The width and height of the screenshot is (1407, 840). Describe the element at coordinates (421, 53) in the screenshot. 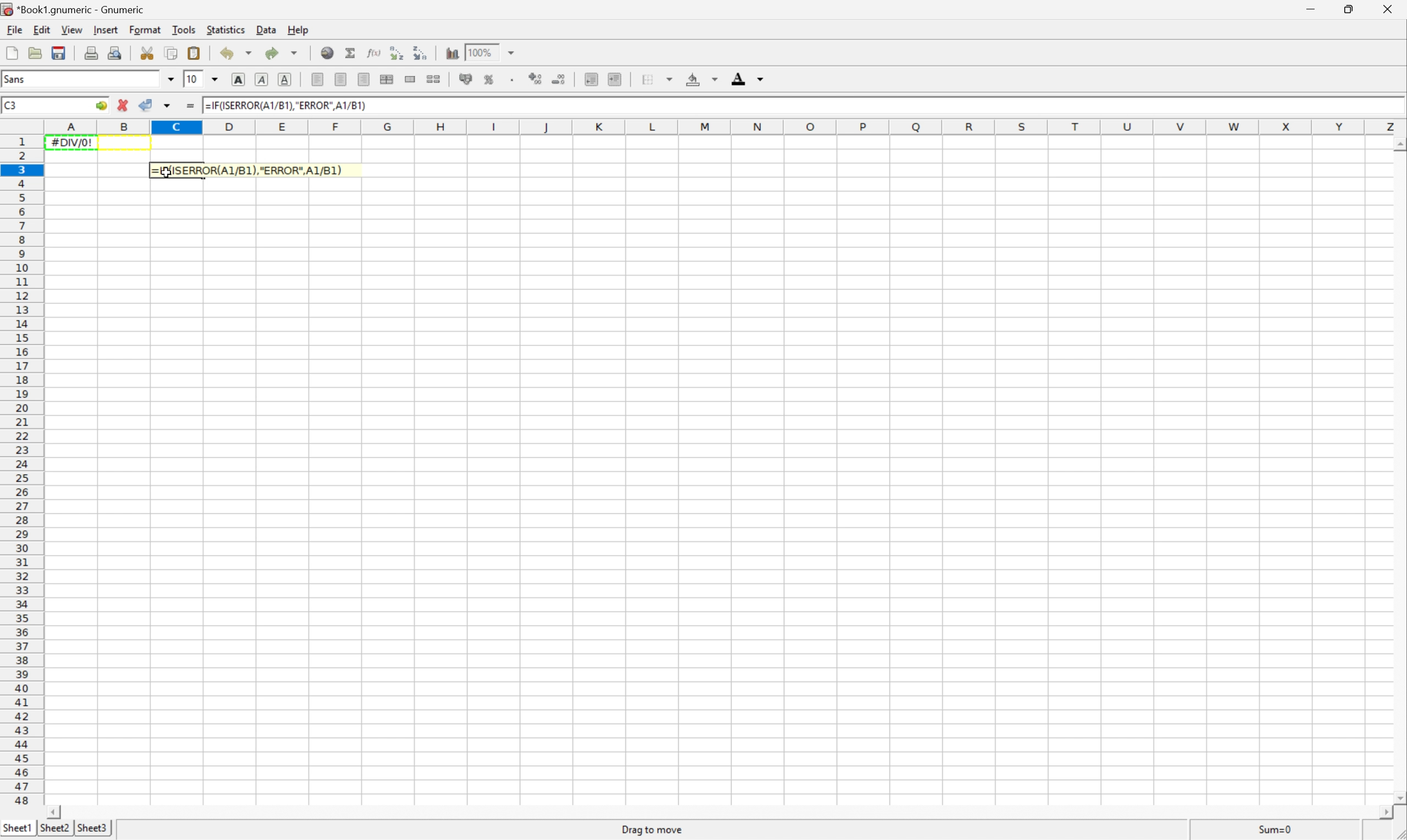

I see `Sort the selected region in descending order based on the first column selected` at that location.